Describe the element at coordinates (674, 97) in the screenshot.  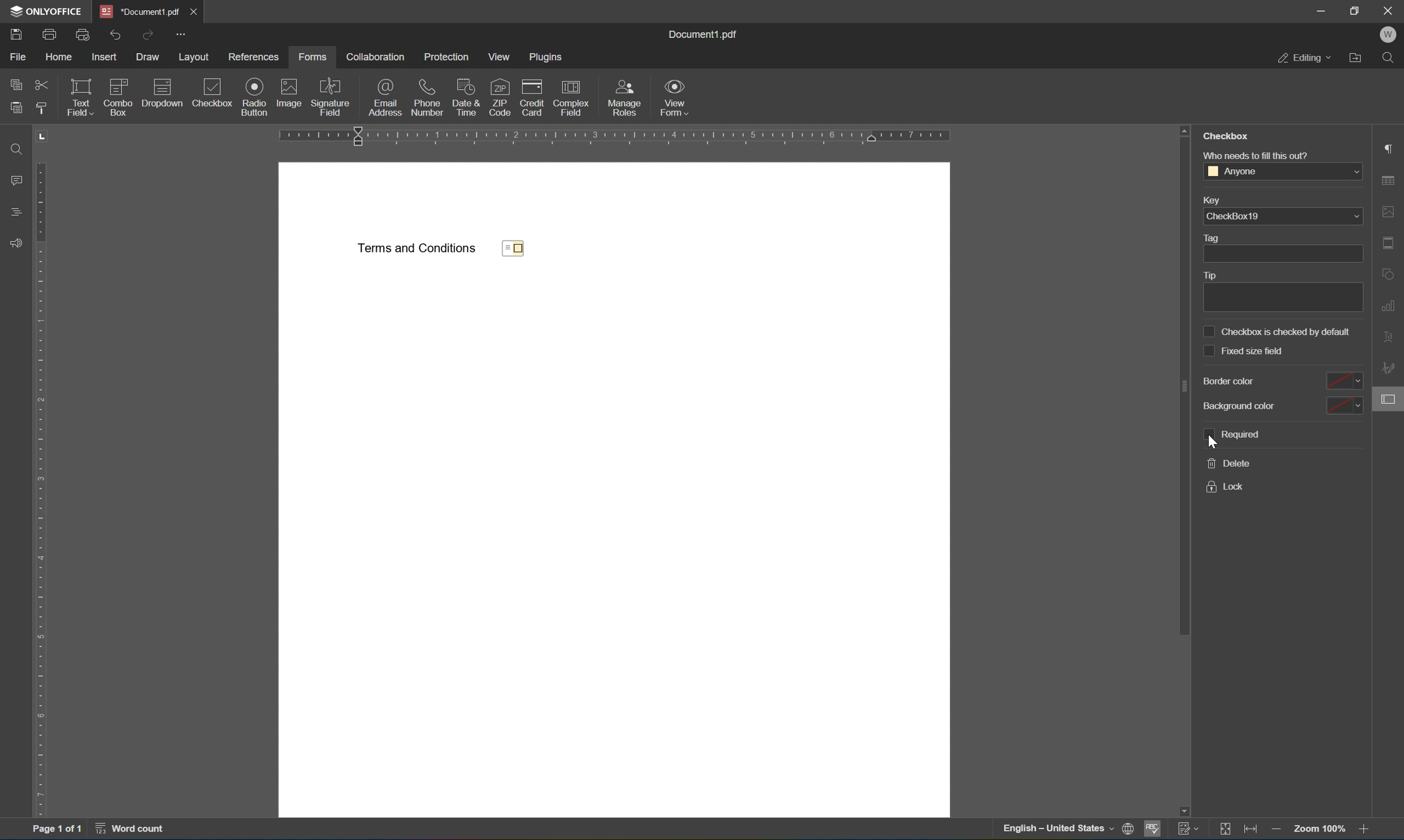
I see `view form` at that location.